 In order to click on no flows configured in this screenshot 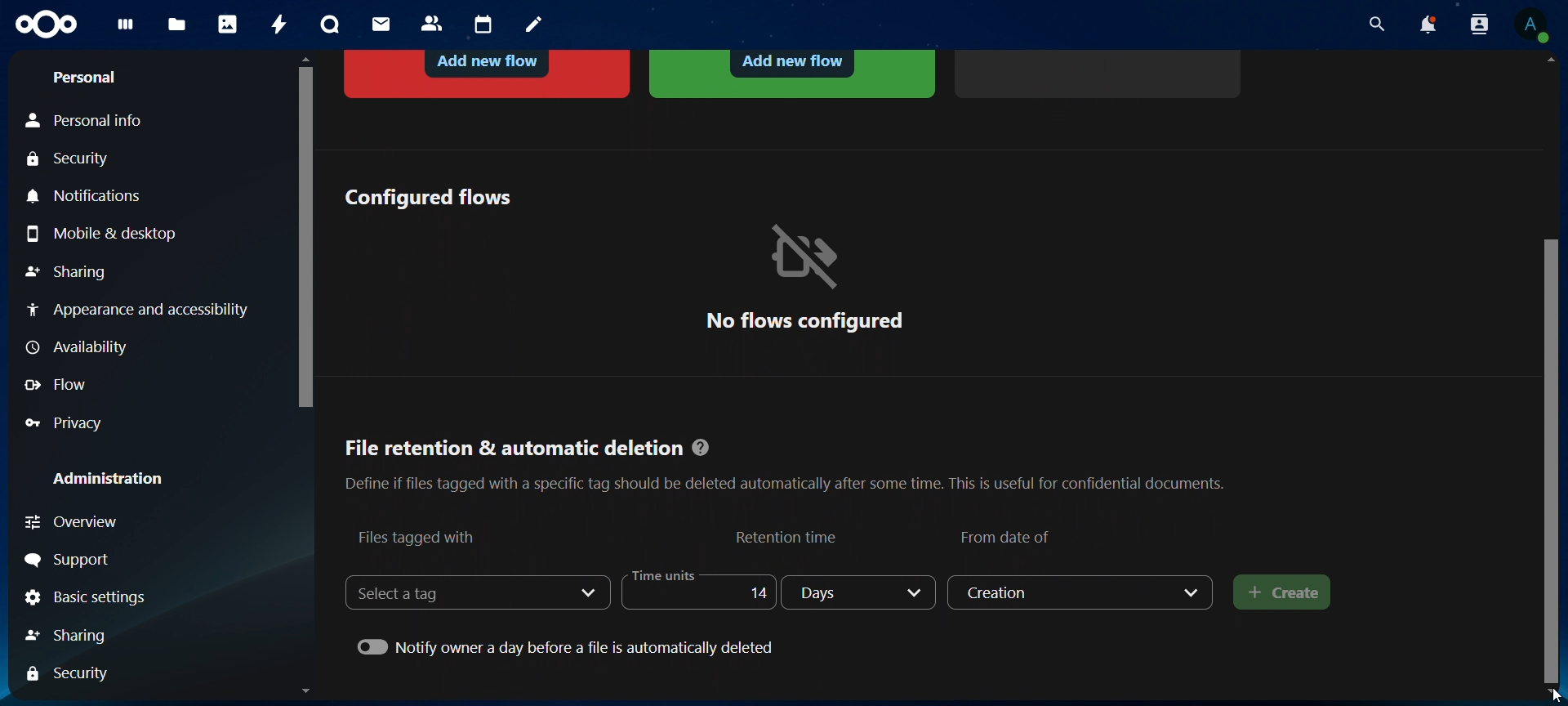, I will do `click(804, 277)`.